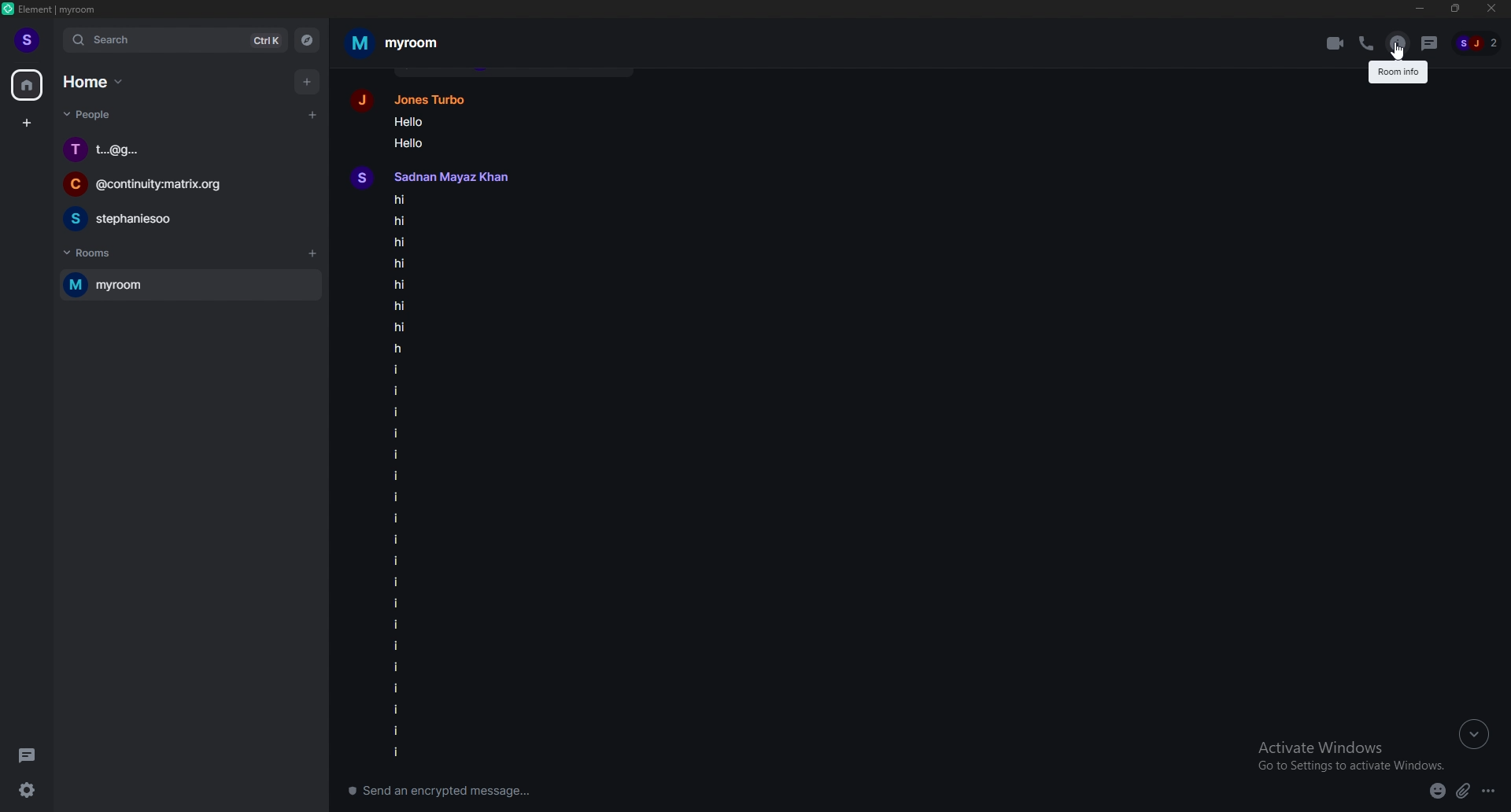 The width and height of the screenshot is (1511, 812). Describe the element at coordinates (62, 10) in the screenshot. I see `element` at that location.